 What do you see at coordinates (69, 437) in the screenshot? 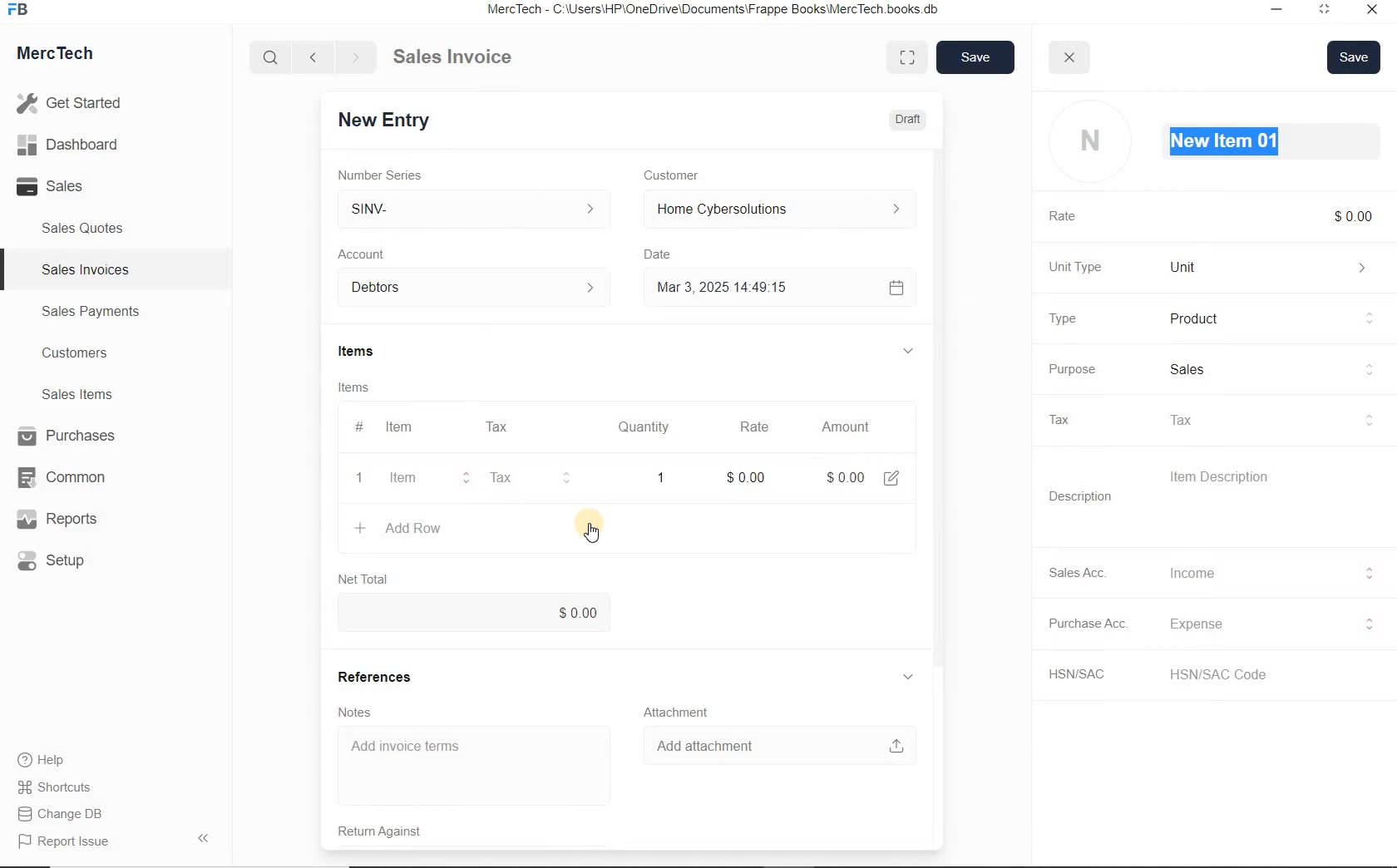
I see `Purchases` at bounding box center [69, 437].